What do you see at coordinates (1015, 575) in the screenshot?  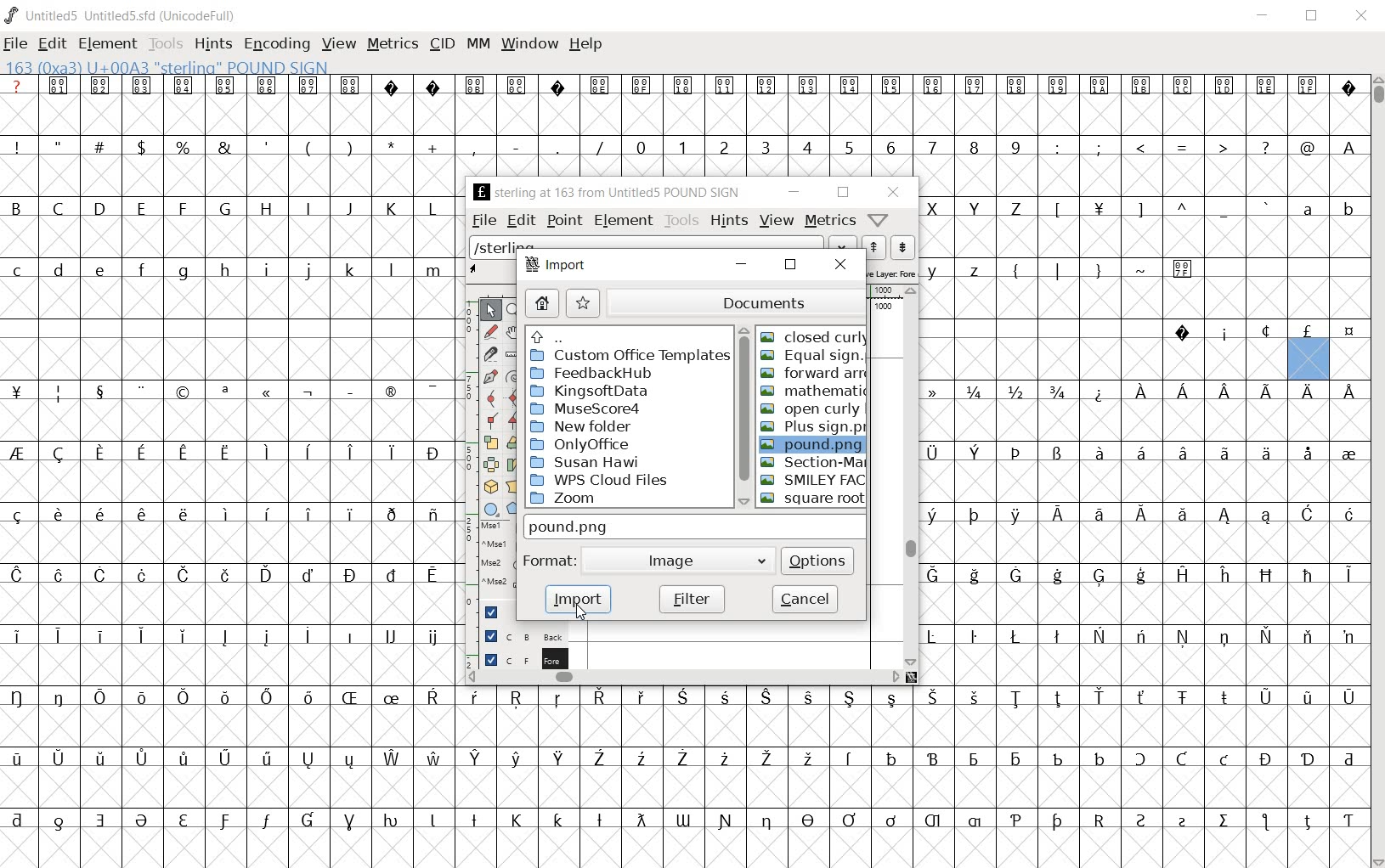 I see `Symbol` at bounding box center [1015, 575].